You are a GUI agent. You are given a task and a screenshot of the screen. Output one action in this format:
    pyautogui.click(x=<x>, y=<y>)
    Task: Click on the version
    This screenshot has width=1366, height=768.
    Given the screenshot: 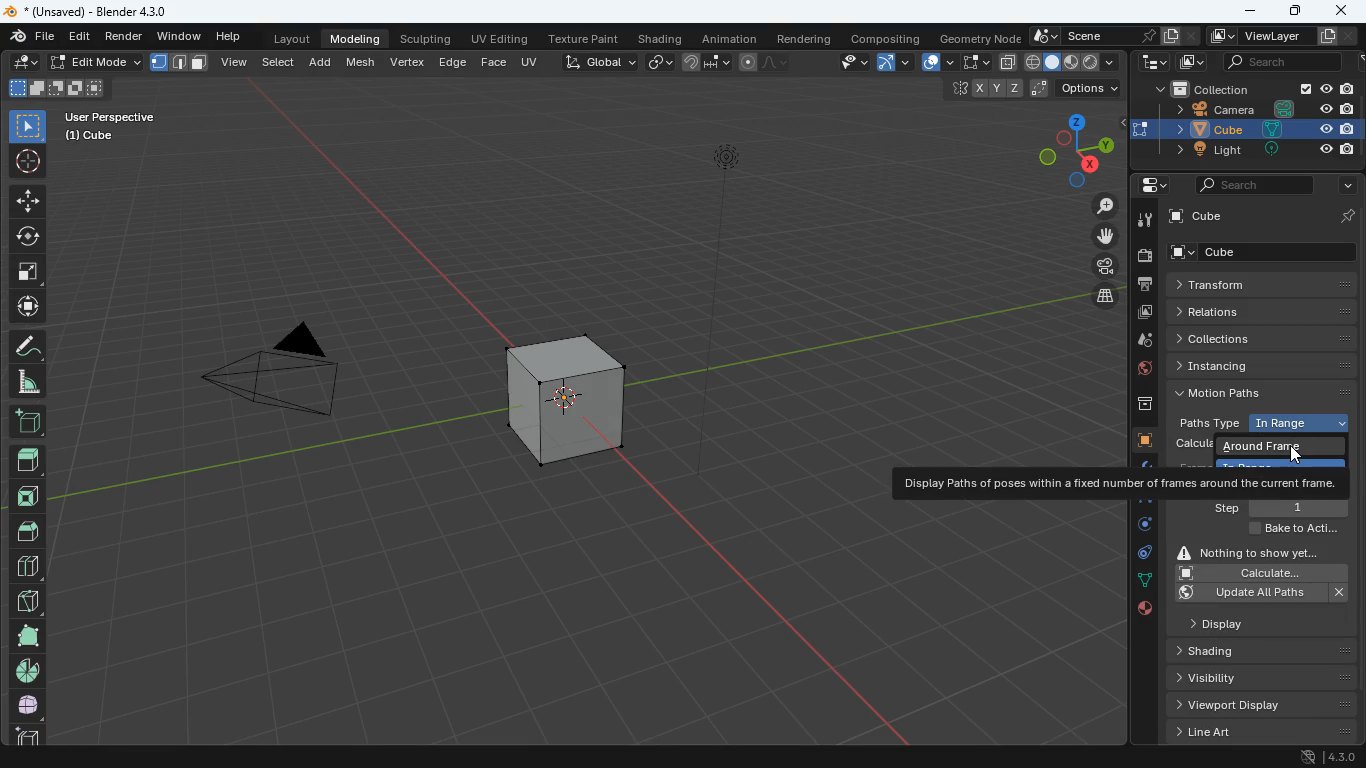 What is the action you would take?
    pyautogui.click(x=1330, y=758)
    